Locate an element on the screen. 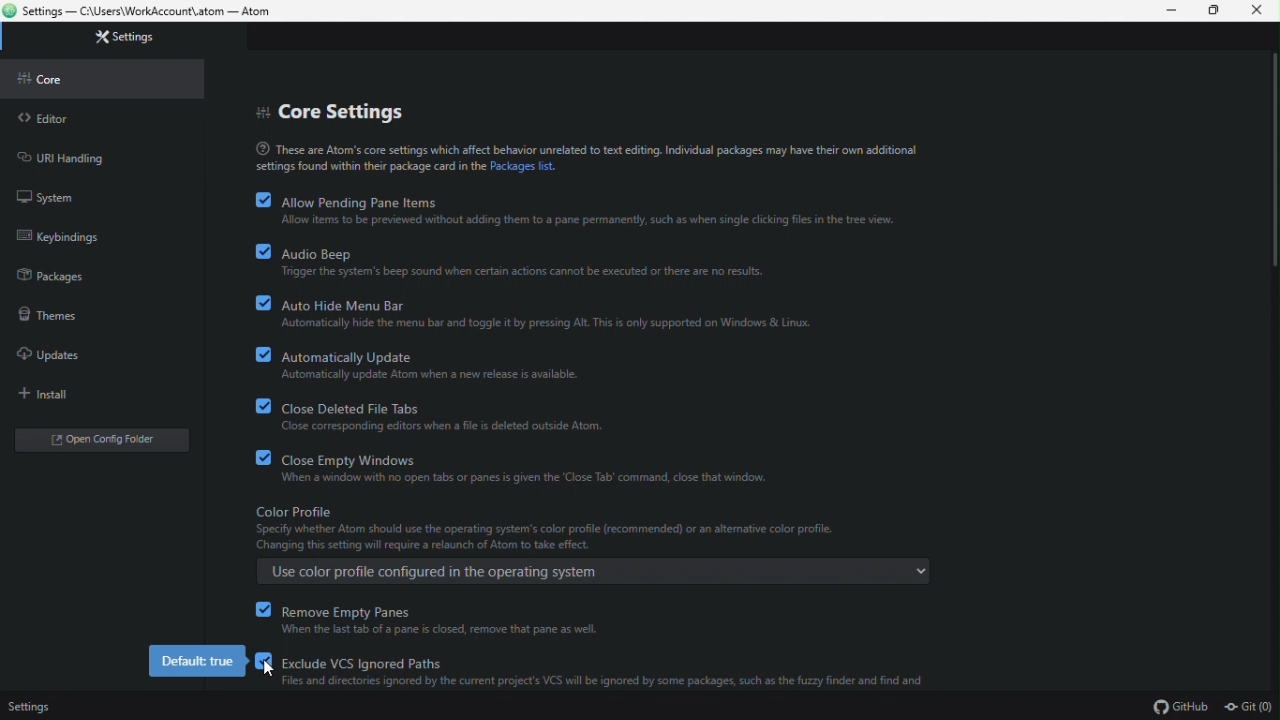 Image resolution: width=1280 pixels, height=720 pixels. URL handling is located at coordinates (101, 158).